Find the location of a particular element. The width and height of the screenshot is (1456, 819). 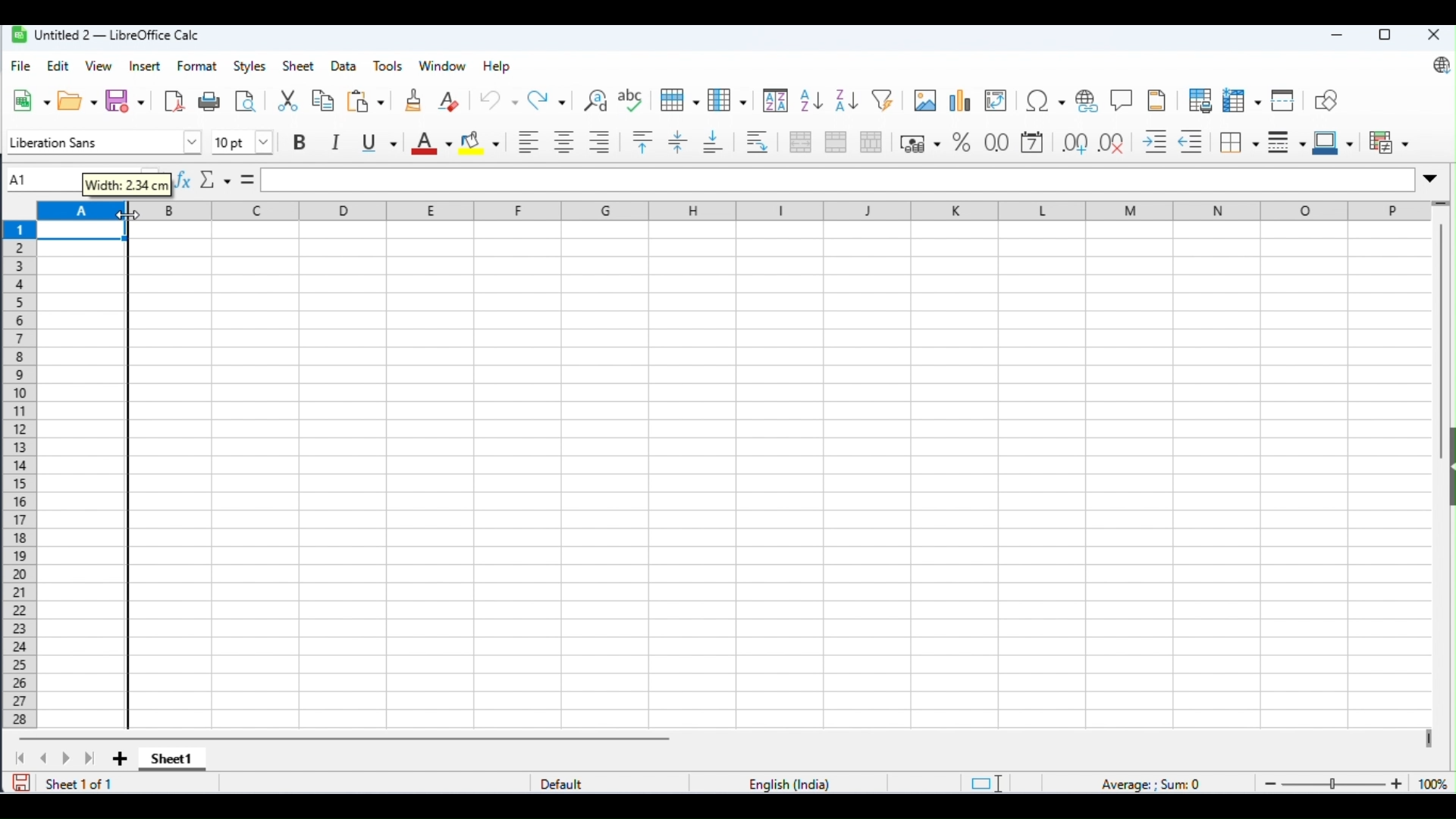

print is located at coordinates (211, 101).